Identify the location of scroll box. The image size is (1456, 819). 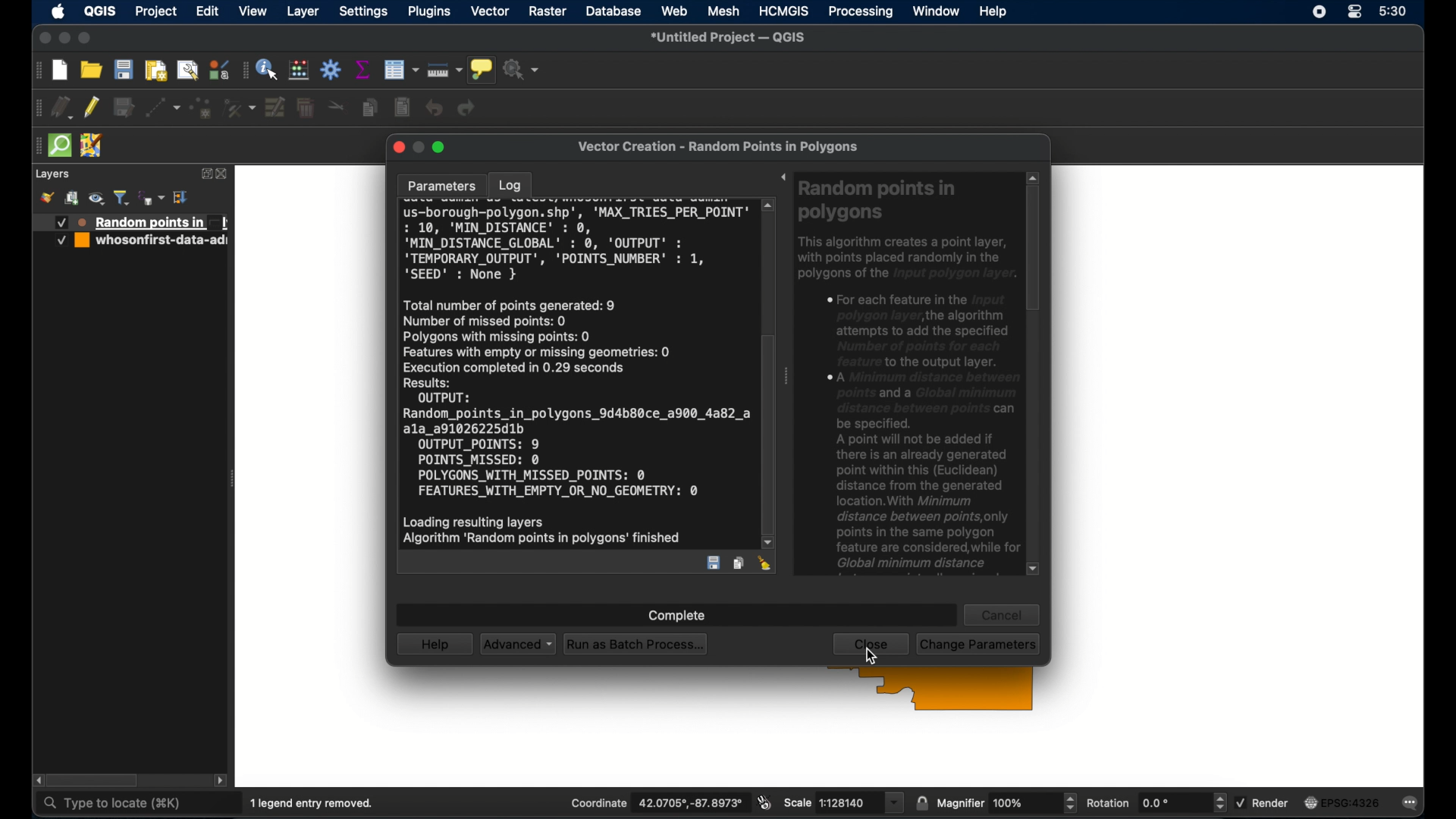
(96, 780).